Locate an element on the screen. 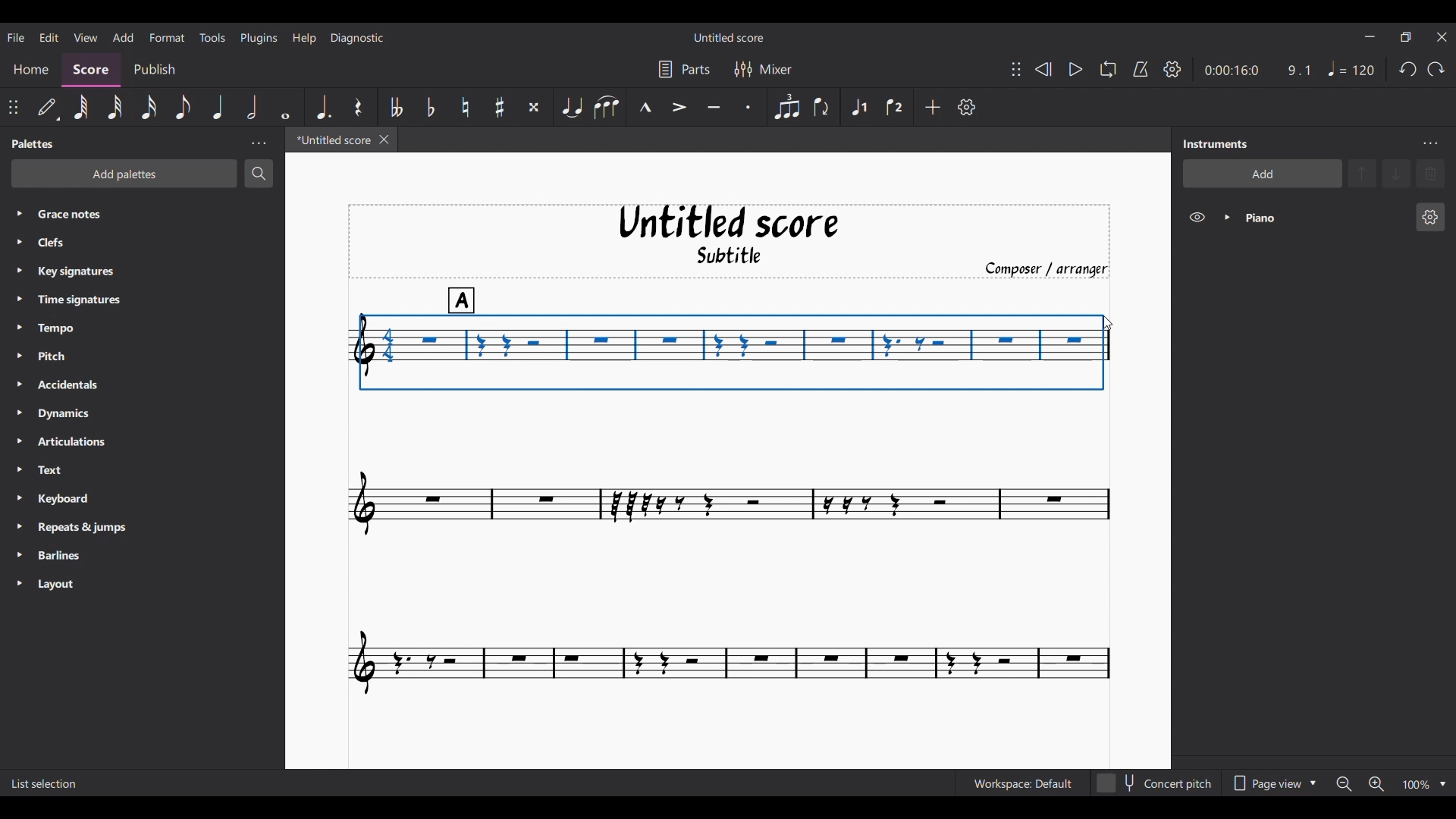 The width and height of the screenshot is (1456, 819). Score section, current selection highlighted is located at coordinates (94, 68).